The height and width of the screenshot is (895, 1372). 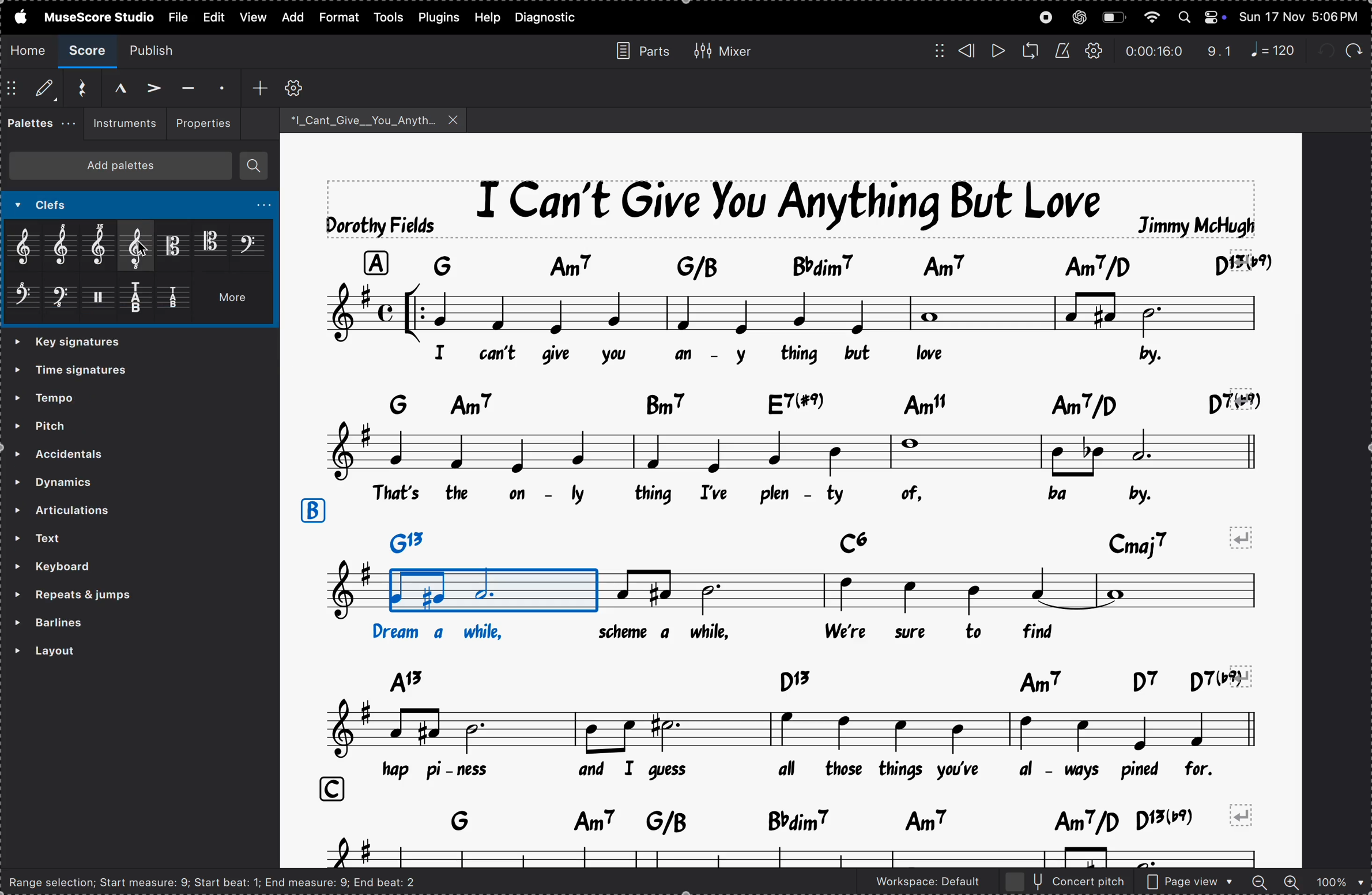 I want to click on wifi, so click(x=1150, y=18).